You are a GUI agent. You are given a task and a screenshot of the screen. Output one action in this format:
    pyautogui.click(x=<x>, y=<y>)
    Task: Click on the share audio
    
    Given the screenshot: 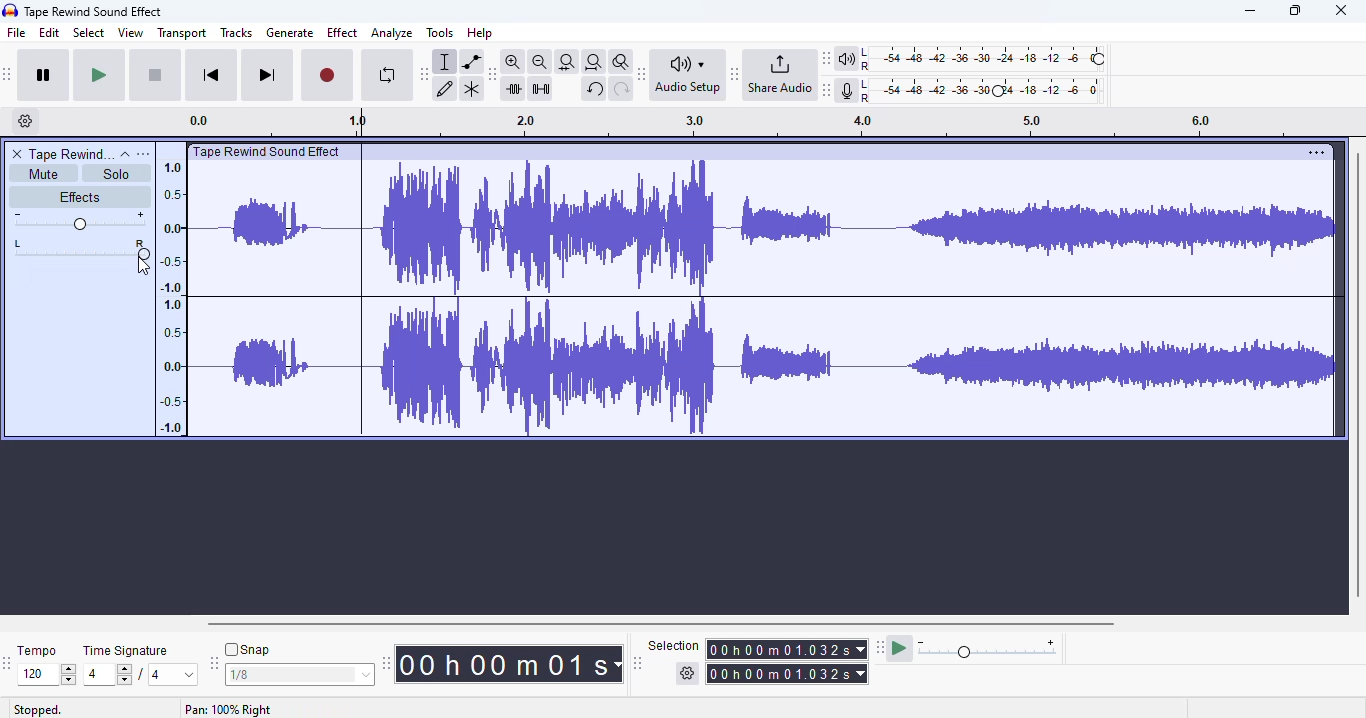 What is the action you would take?
    pyautogui.click(x=779, y=73)
    